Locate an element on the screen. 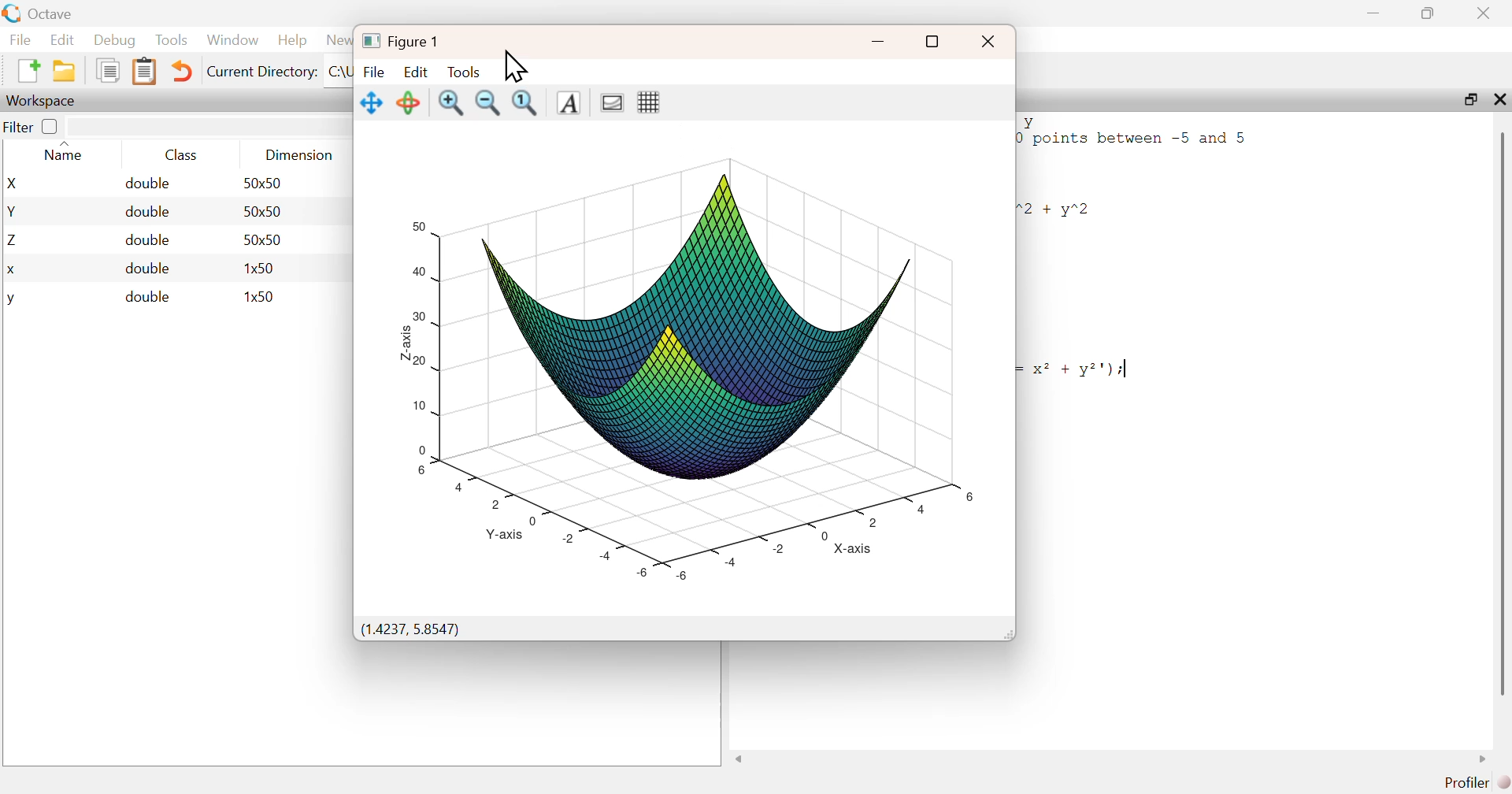 Image resolution: width=1512 pixels, height=794 pixels. Class is located at coordinates (181, 154).